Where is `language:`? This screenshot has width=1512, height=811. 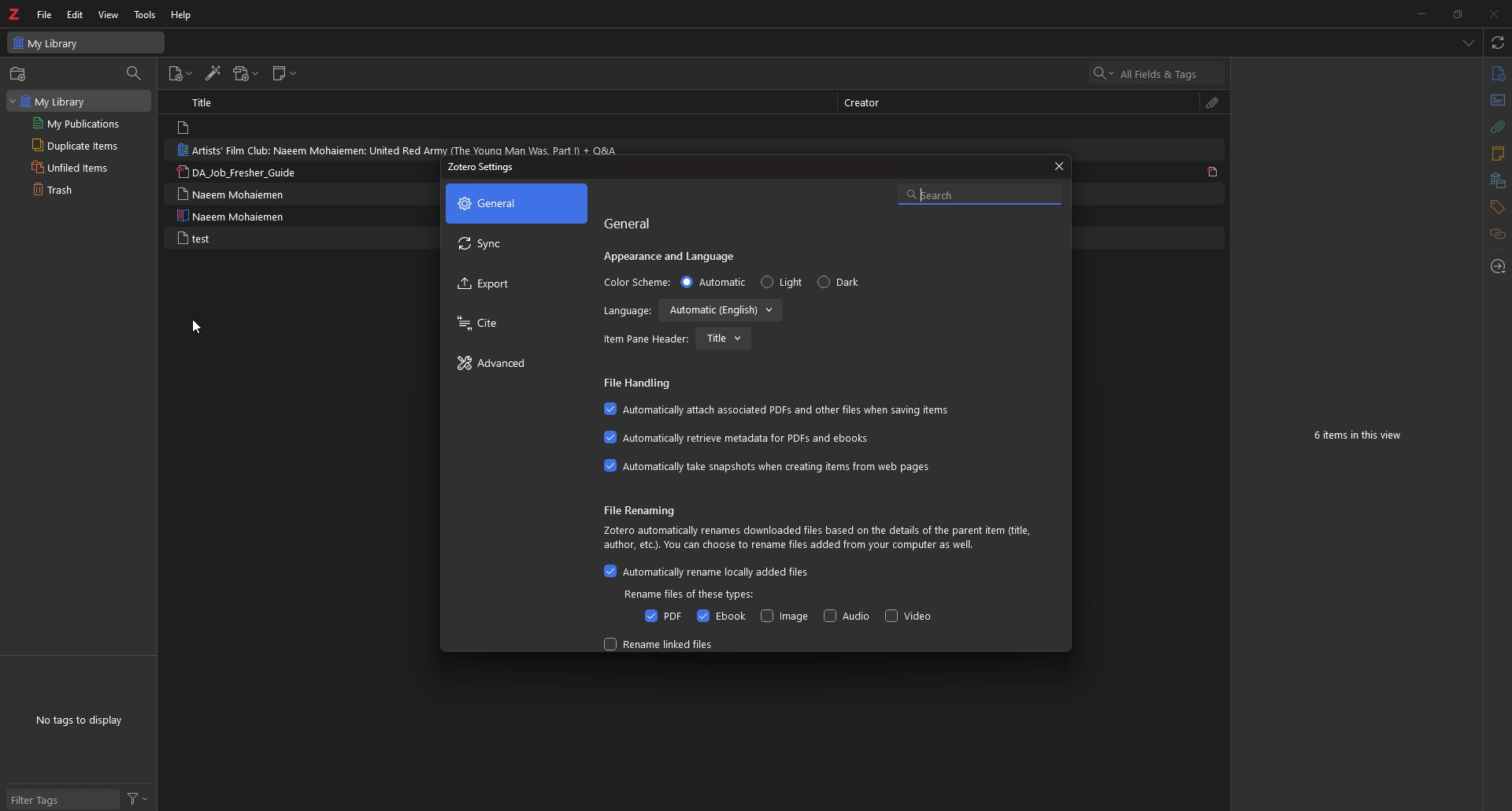 language: is located at coordinates (627, 313).